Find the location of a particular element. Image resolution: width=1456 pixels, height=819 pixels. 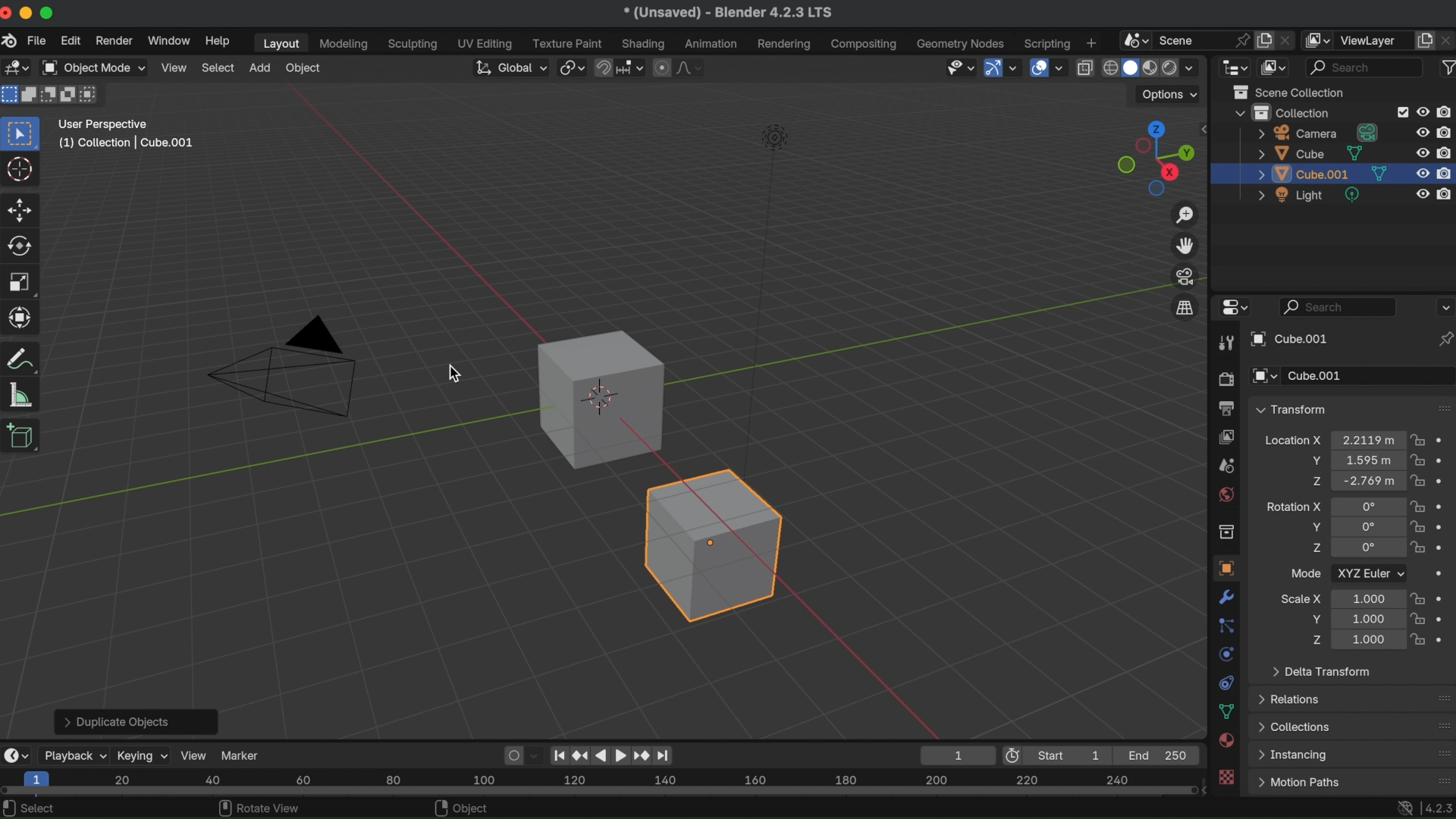

location Z is located at coordinates (1316, 481).